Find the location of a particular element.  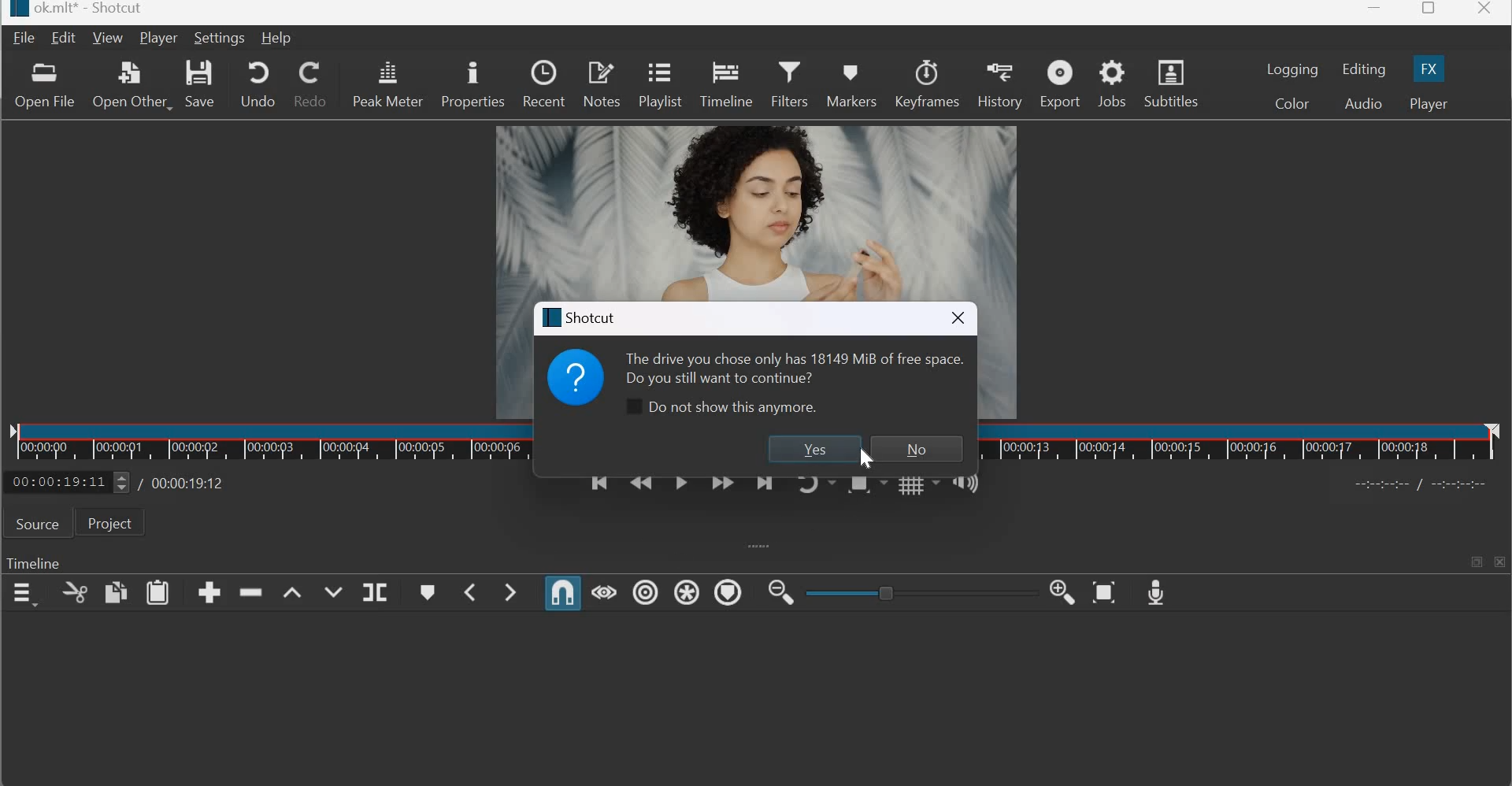

Total duration is located at coordinates (183, 483).